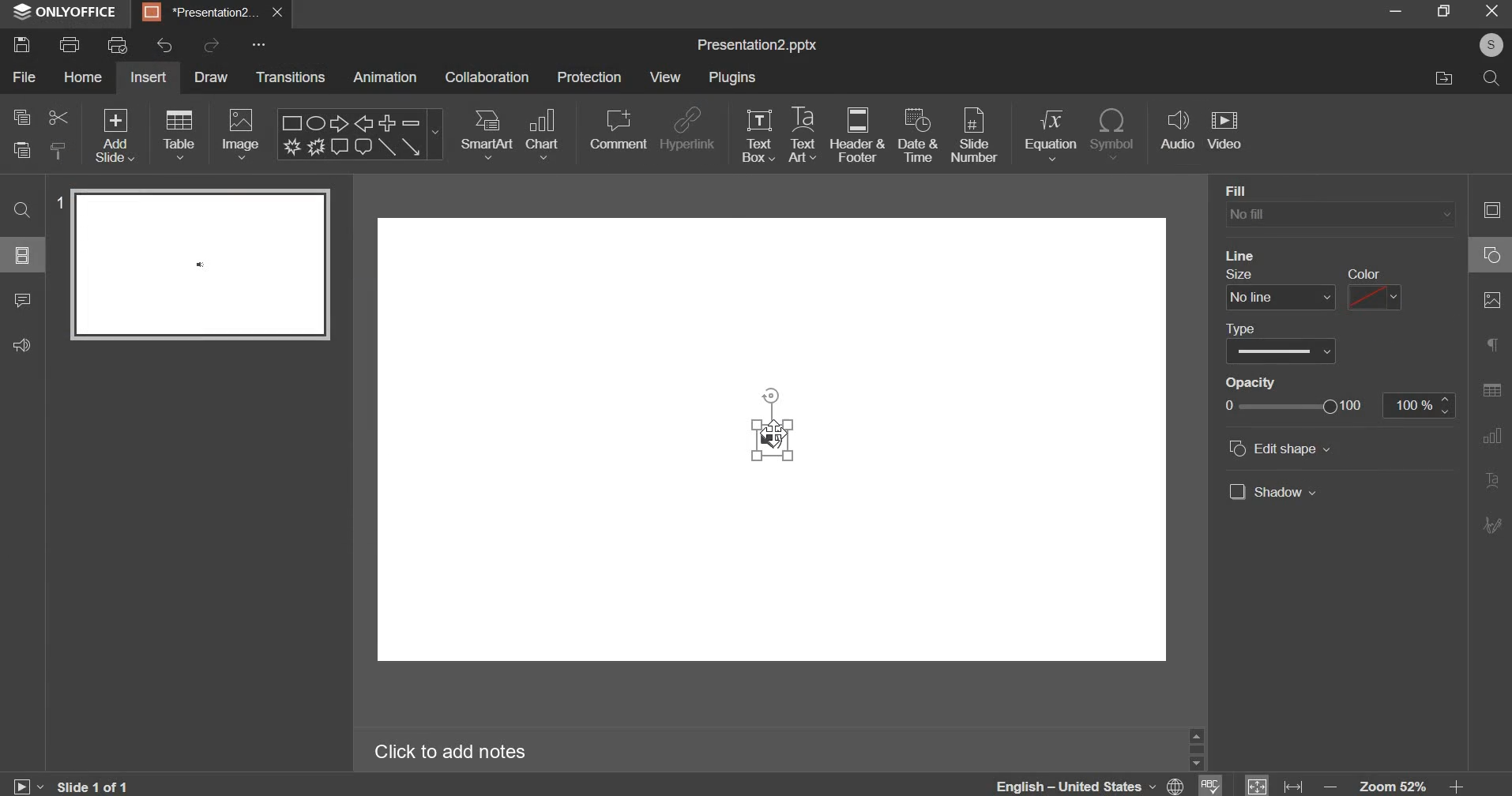 The width and height of the screenshot is (1512, 796). What do you see at coordinates (1273, 491) in the screenshot?
I see `shadow` at bounding box center [1273, 491].